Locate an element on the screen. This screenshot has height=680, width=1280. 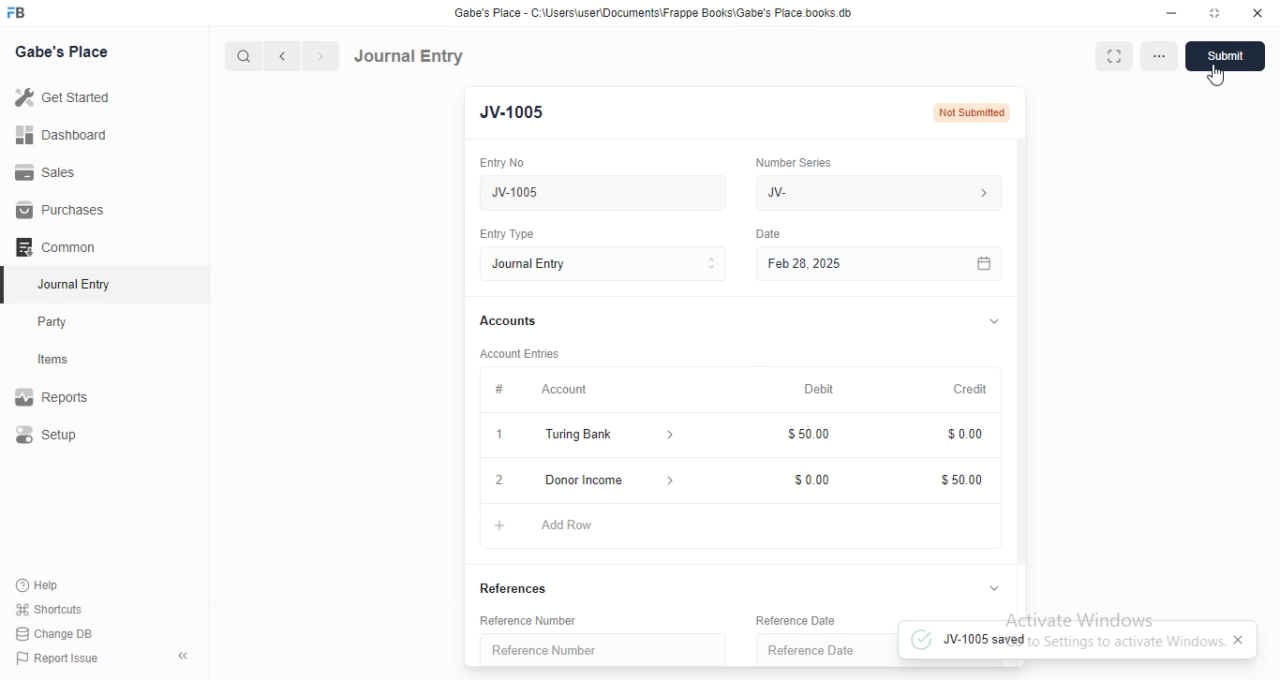
submit is located at coordinates (1229, 56).